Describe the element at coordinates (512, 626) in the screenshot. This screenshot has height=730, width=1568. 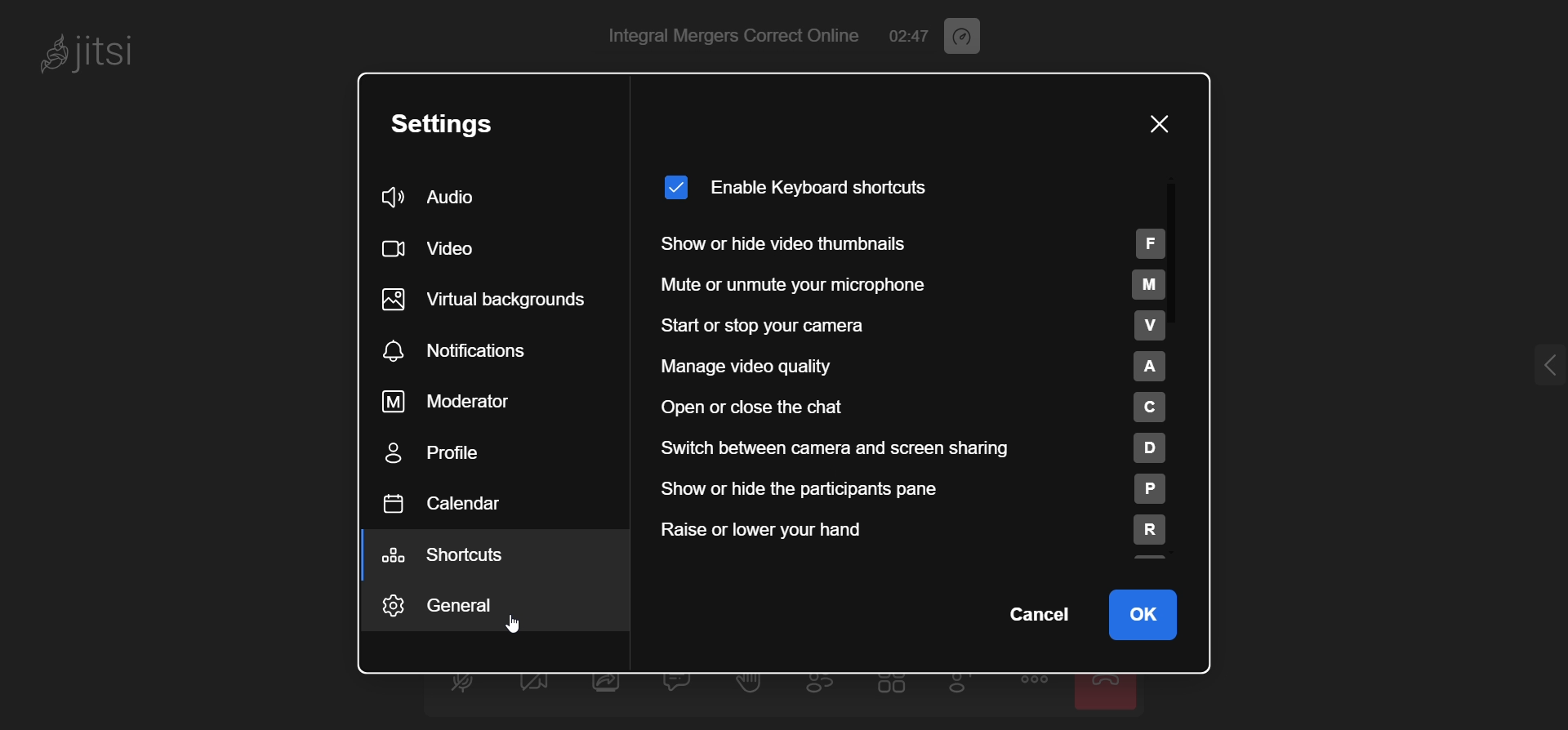
I see `Cursor` at that location.